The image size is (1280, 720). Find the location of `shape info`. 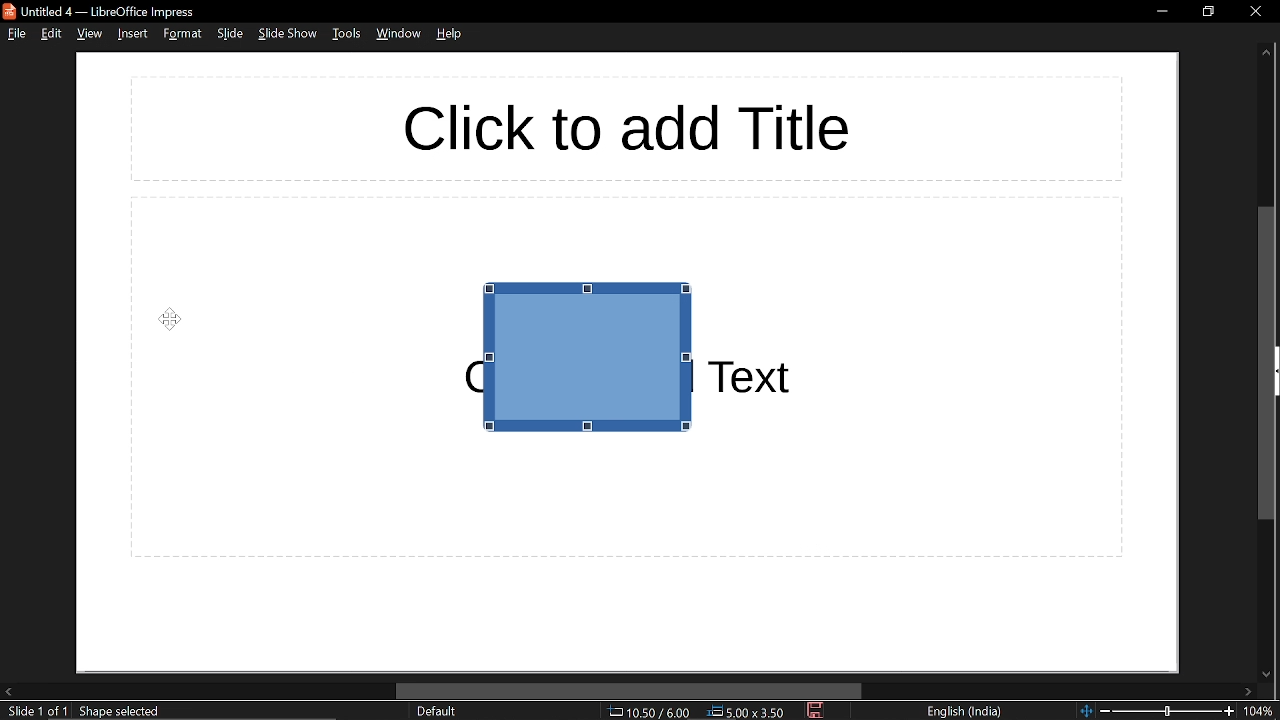

shape info is located at coordinates (122, 711).